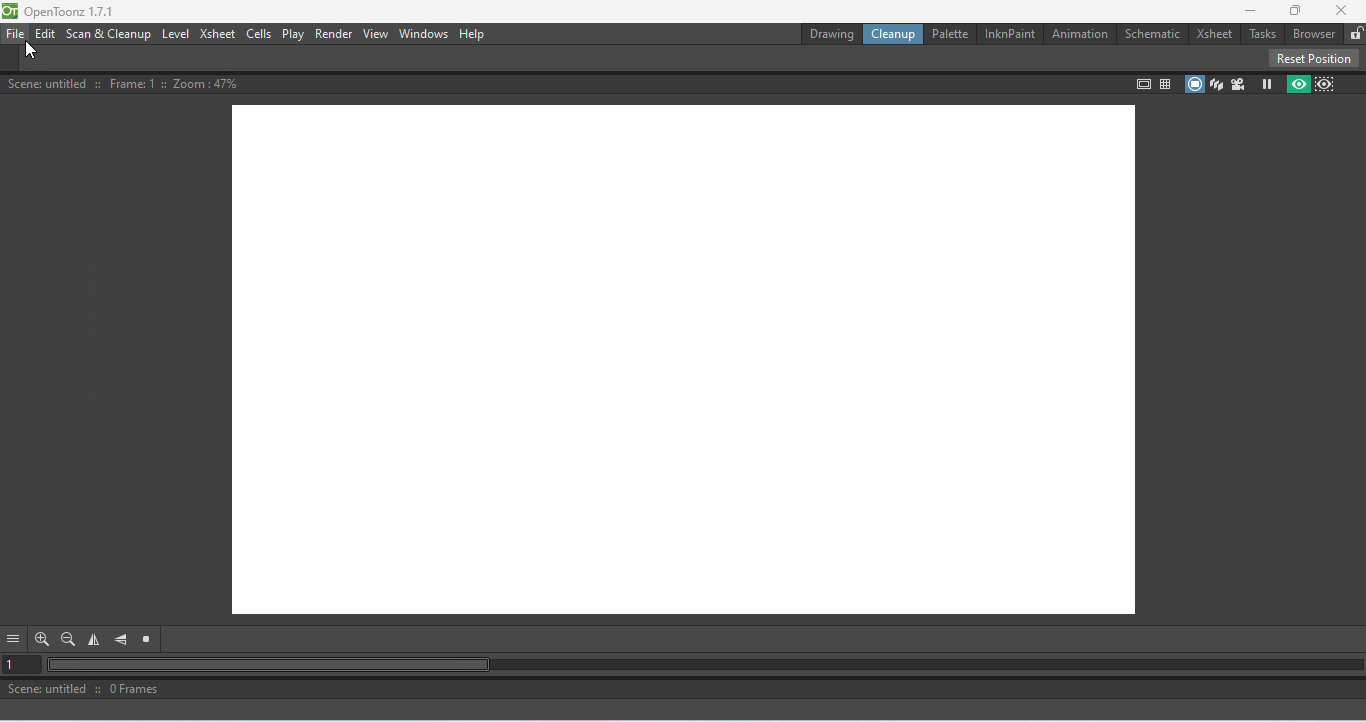 This screenshot has width=1366, height=722. I want to click on View, so click(374, 35).